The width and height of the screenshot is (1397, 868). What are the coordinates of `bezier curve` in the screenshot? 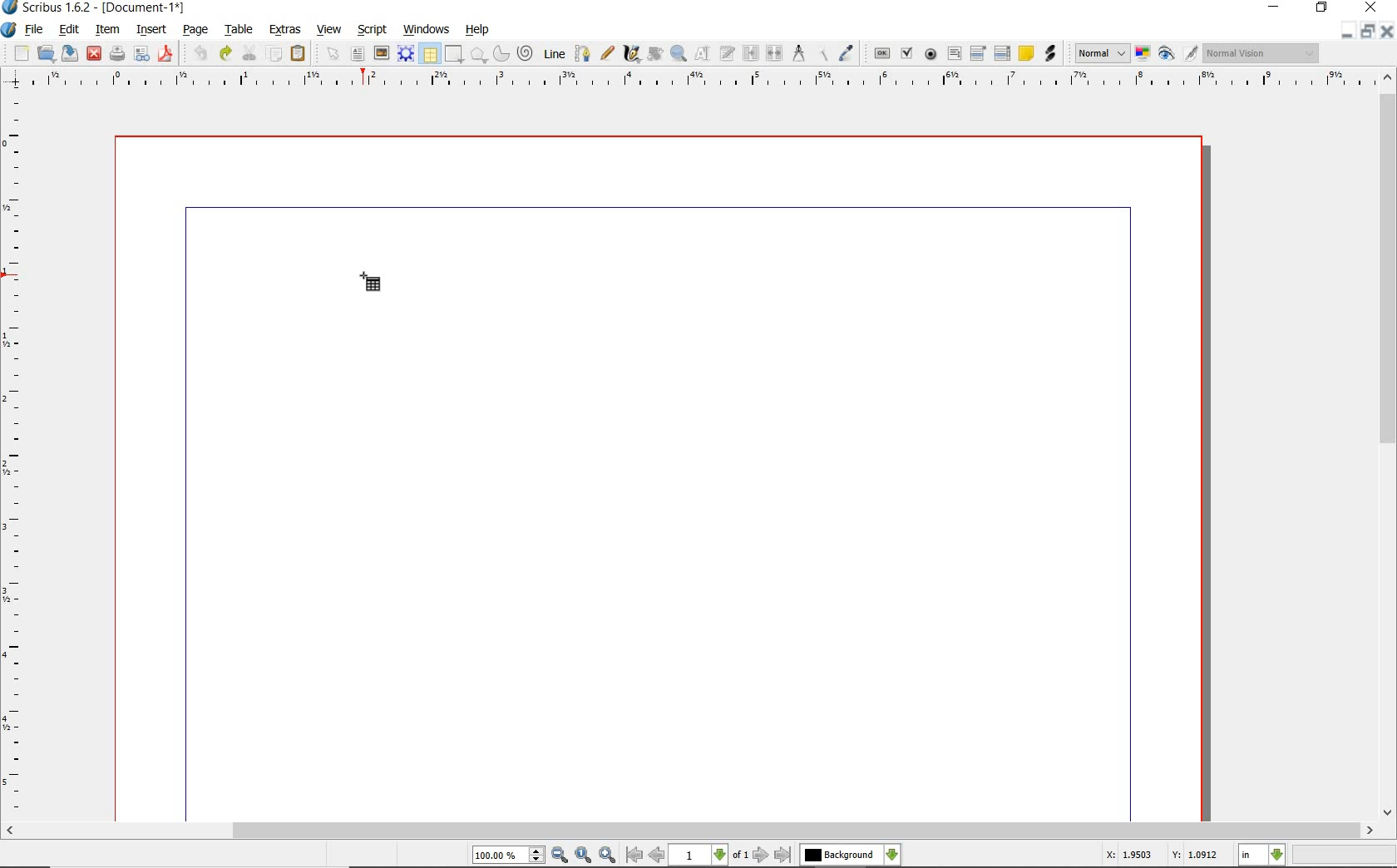 It's located at (582, 53).